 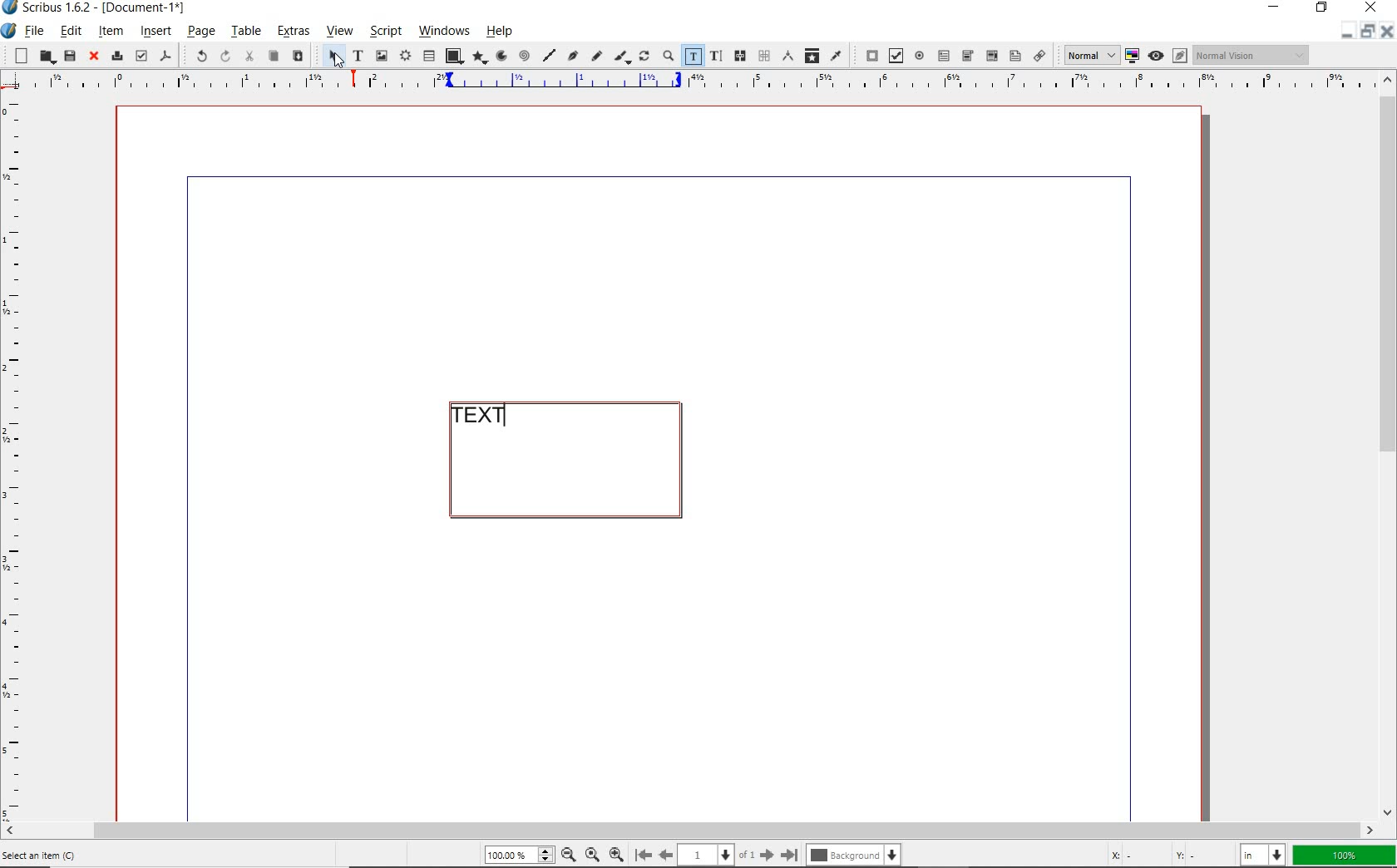 What do you see at coordinates (593, 856) in the screenshot?
I see `Zoom to 100%` at bounding box center [593, 856].